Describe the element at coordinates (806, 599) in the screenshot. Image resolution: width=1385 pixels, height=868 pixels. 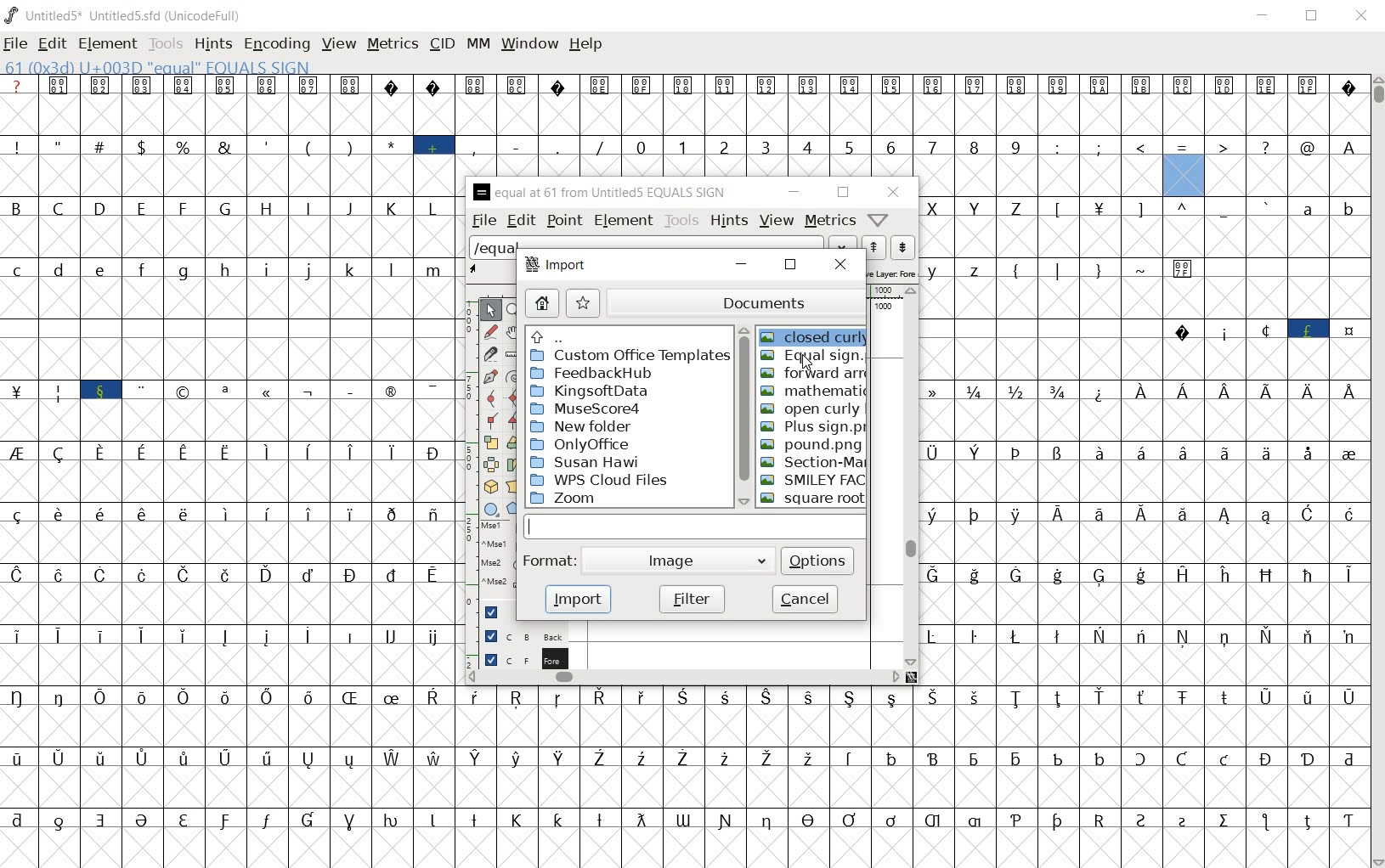
I see `cancel` at that location.